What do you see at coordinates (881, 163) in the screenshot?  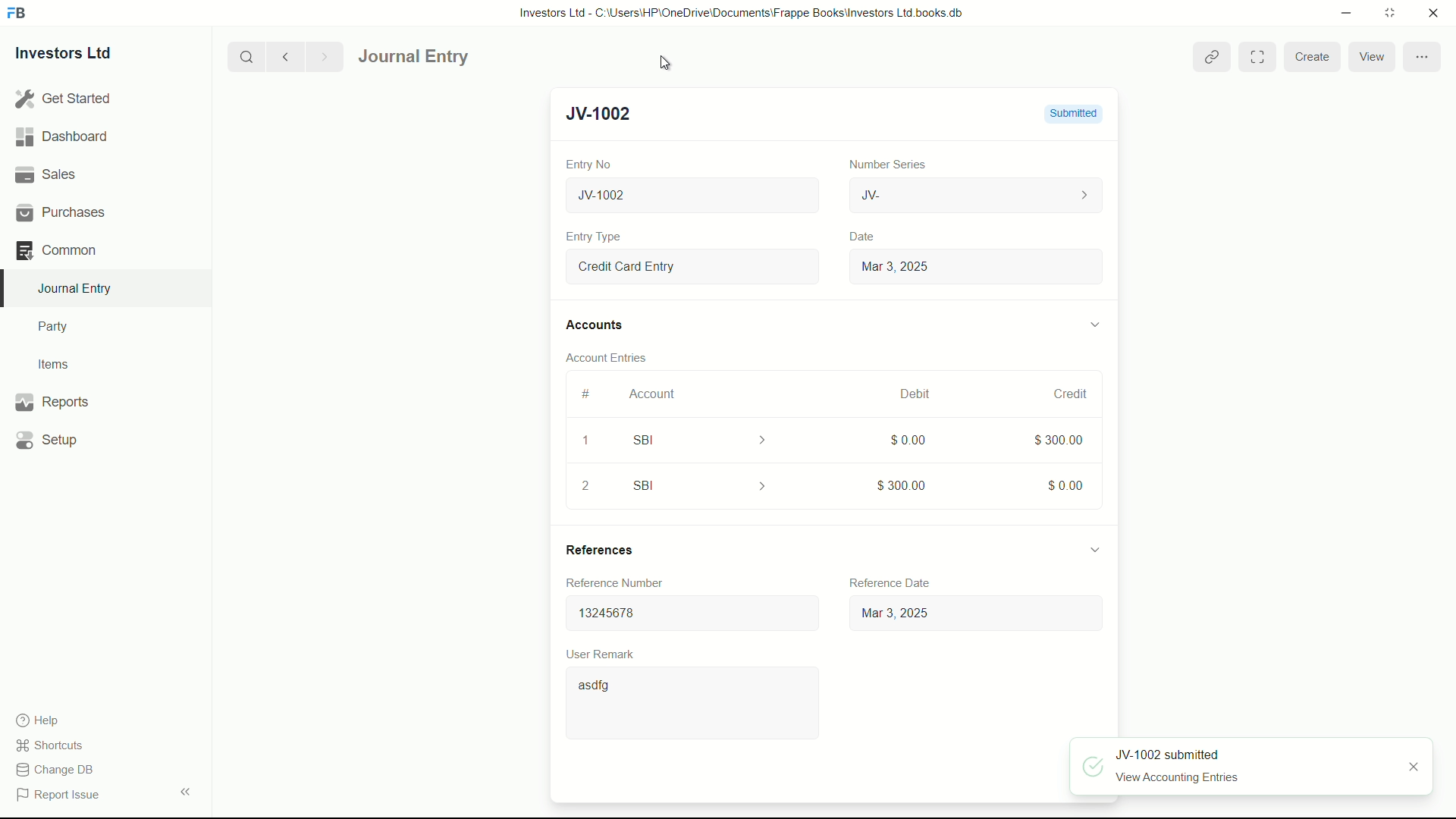 I see `Number Series` at bounding box center [881, 163].